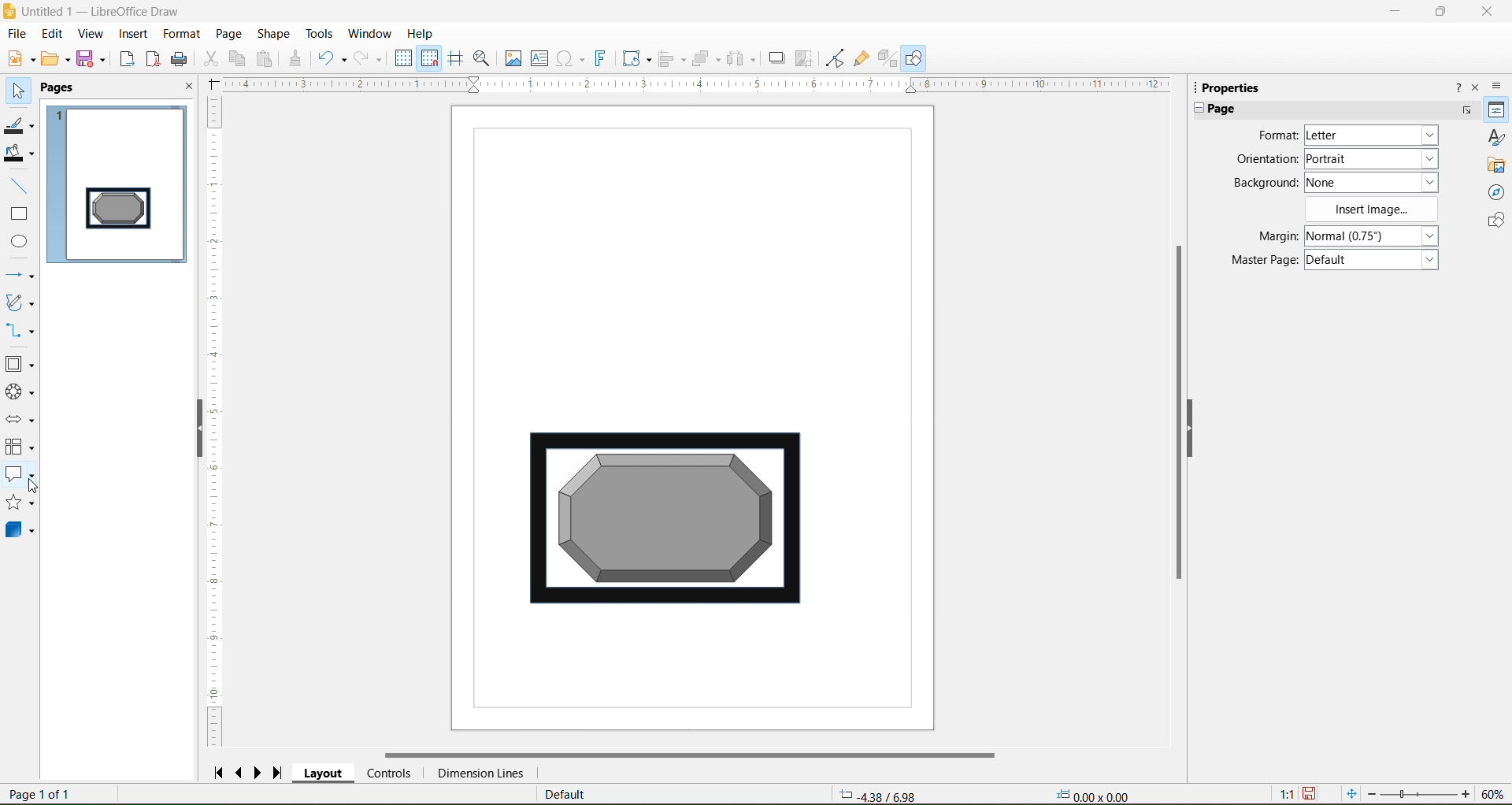  What do you see at coordinates (1456, 87) in the screenshot?
I see `Help about this sidebar deck` at bounding box center [1456, 87].